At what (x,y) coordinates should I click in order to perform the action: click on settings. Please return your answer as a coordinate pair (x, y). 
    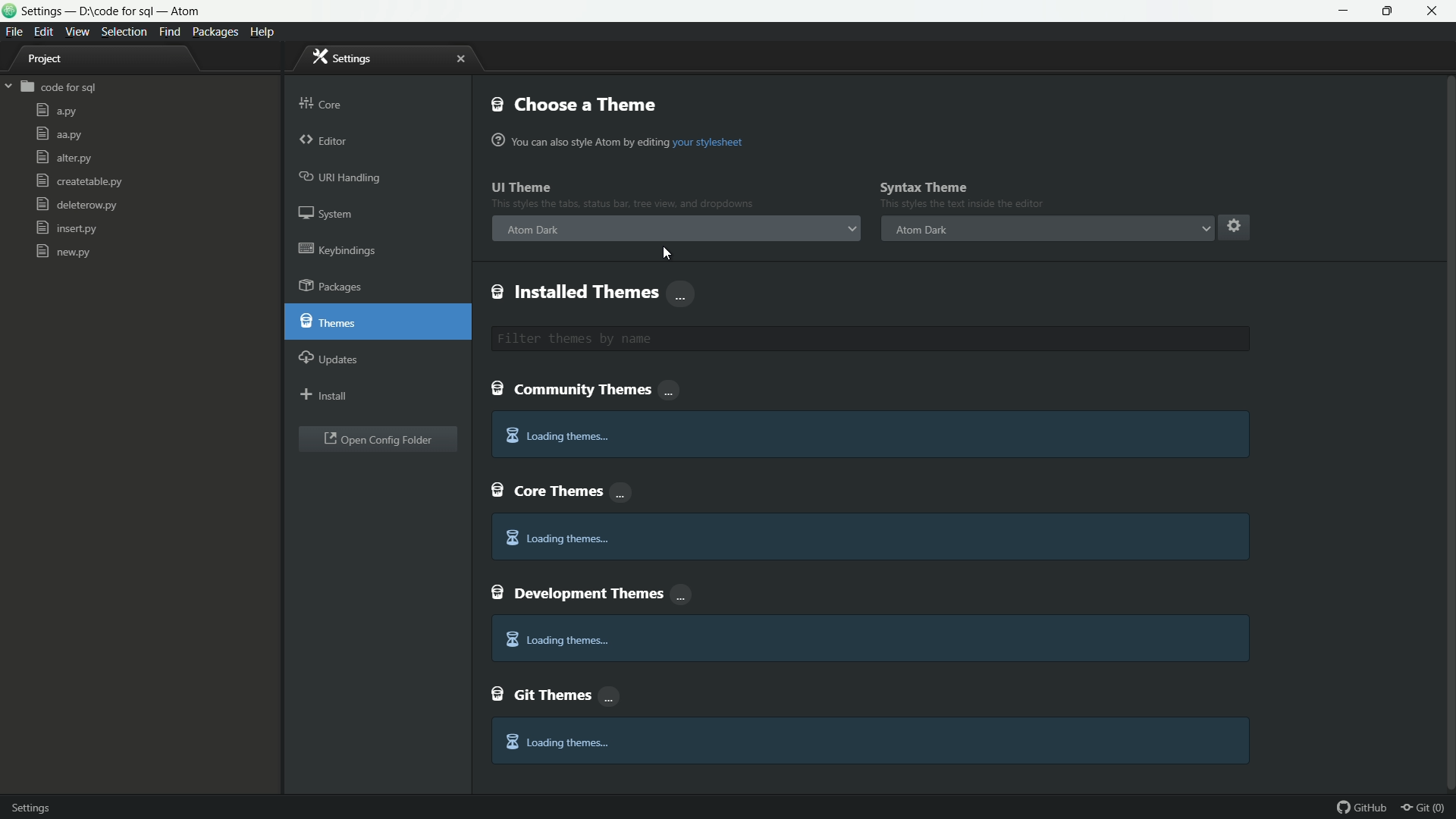
    Looking at the image, I should click on (1233, 225).